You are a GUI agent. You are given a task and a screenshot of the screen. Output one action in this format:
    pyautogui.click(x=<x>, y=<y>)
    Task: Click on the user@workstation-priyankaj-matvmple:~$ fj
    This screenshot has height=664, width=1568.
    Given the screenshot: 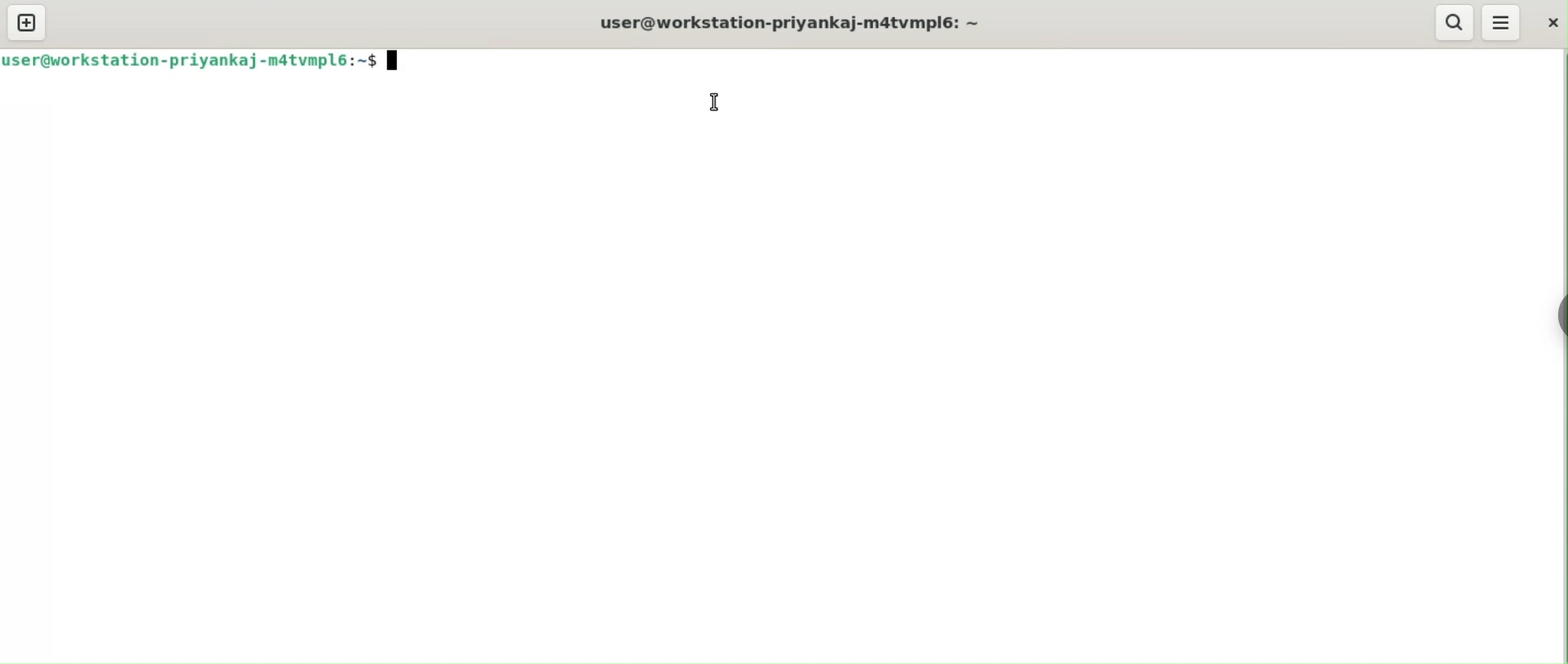 What is the action you would take?
    pyautogui.click(x=210, y=64)
    